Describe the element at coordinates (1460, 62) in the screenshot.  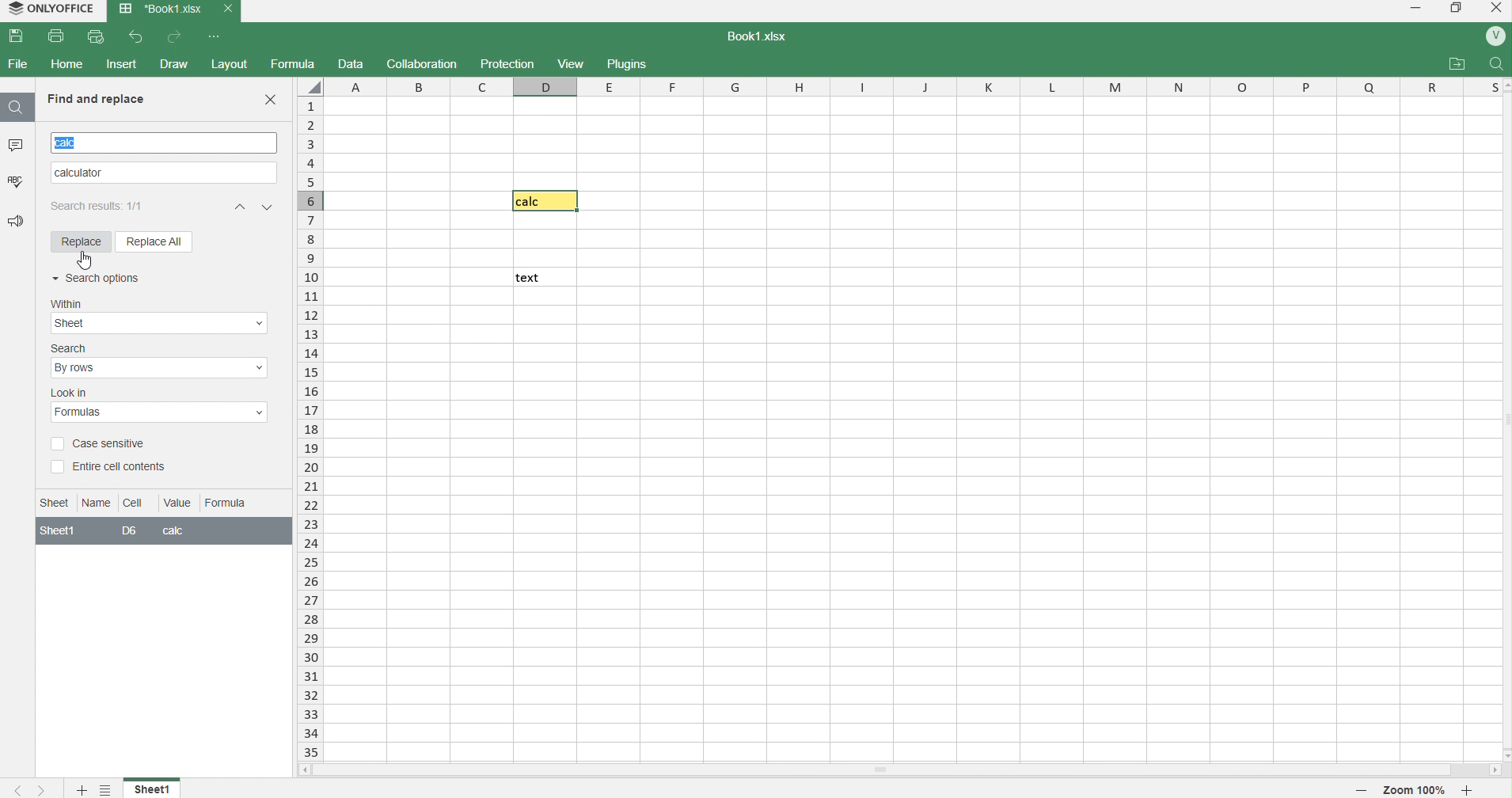
I see `attachments` at that location.